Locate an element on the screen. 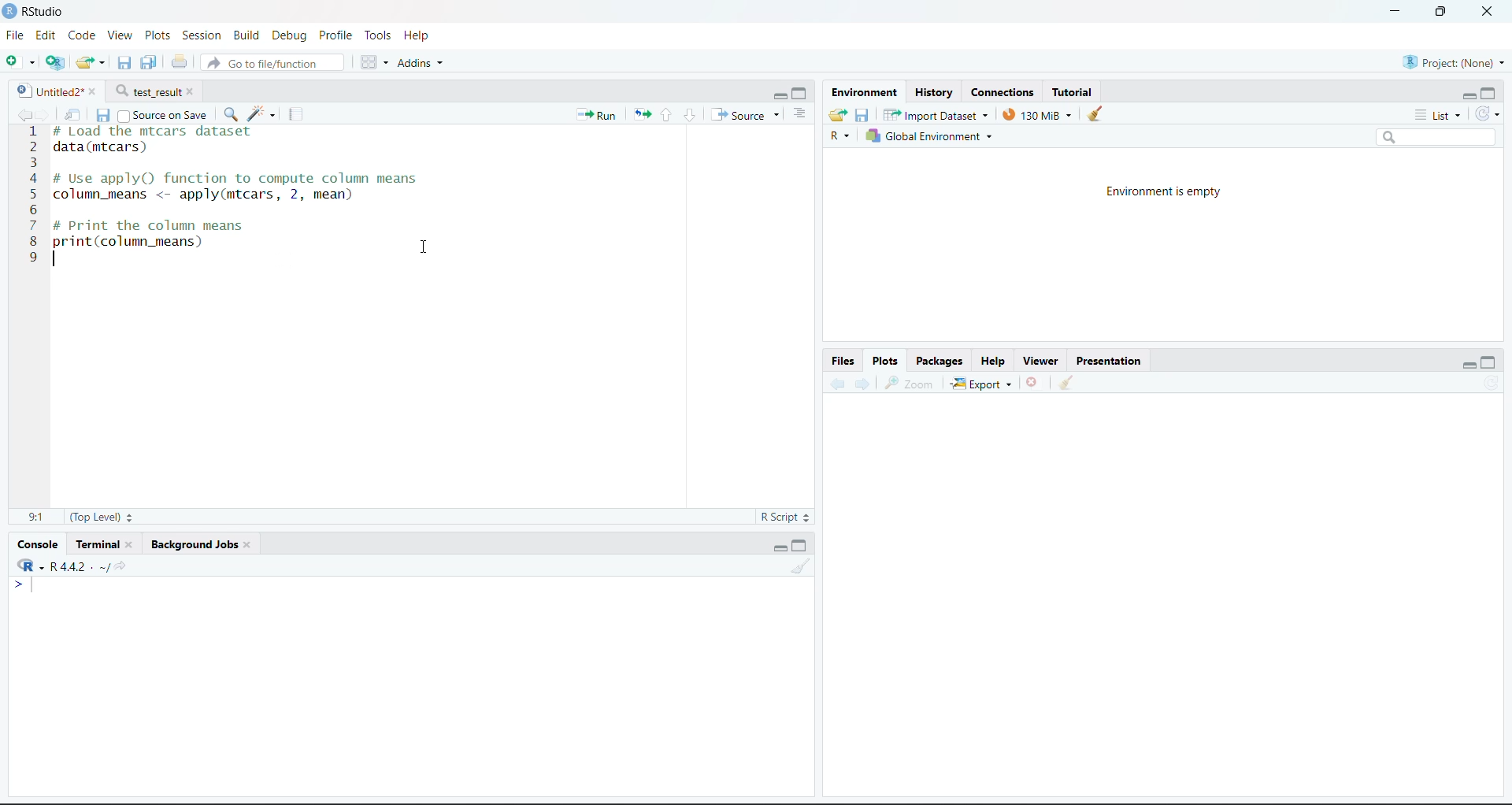 The height and width of the screenshot is (805, 1512). Code Tools is located at coordinates (260, 113).